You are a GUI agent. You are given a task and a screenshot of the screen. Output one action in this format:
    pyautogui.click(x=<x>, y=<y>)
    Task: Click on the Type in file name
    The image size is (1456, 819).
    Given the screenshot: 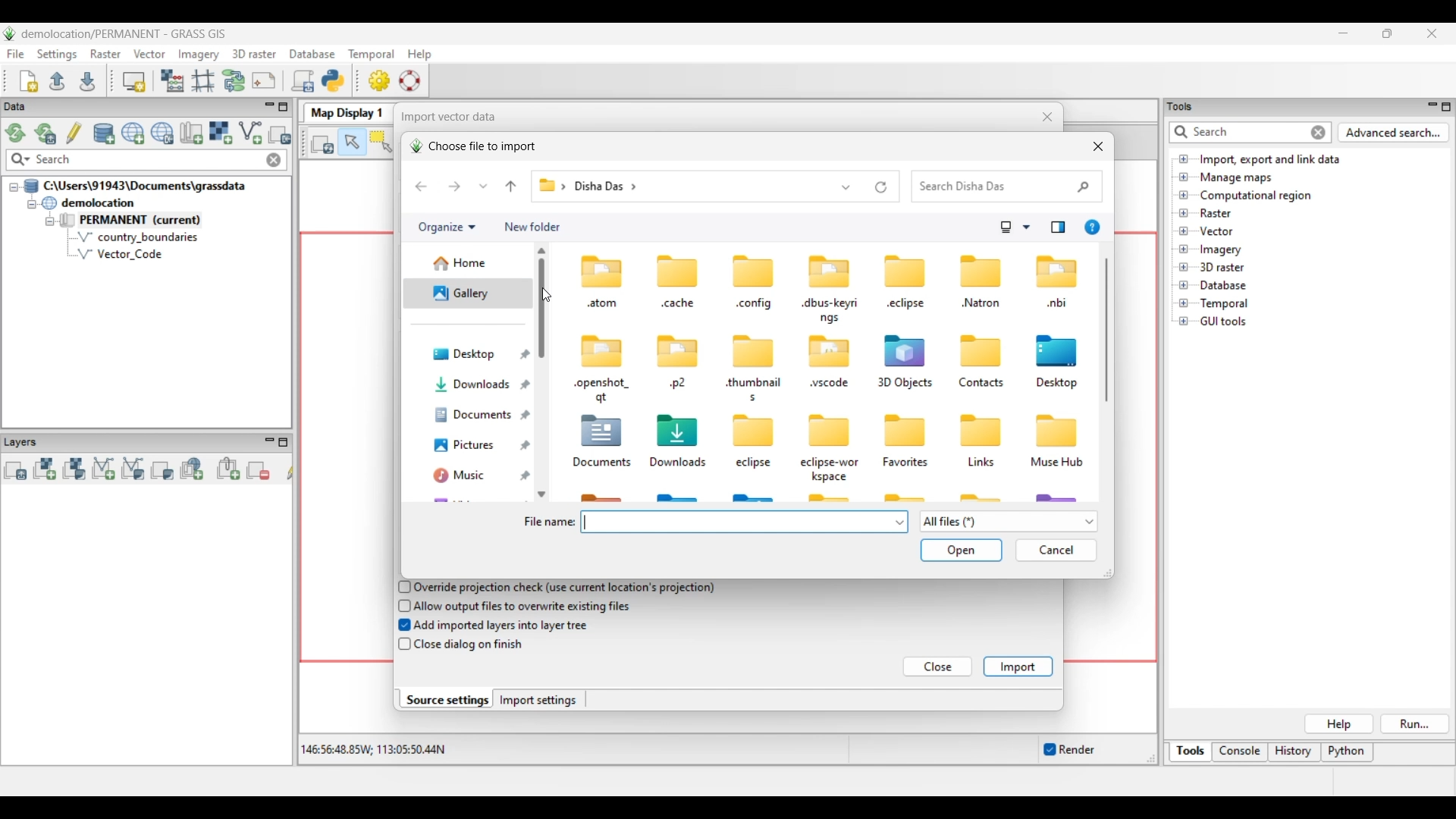 What is the action you would take?
    pyautogui.click(x=737, y=522)
    